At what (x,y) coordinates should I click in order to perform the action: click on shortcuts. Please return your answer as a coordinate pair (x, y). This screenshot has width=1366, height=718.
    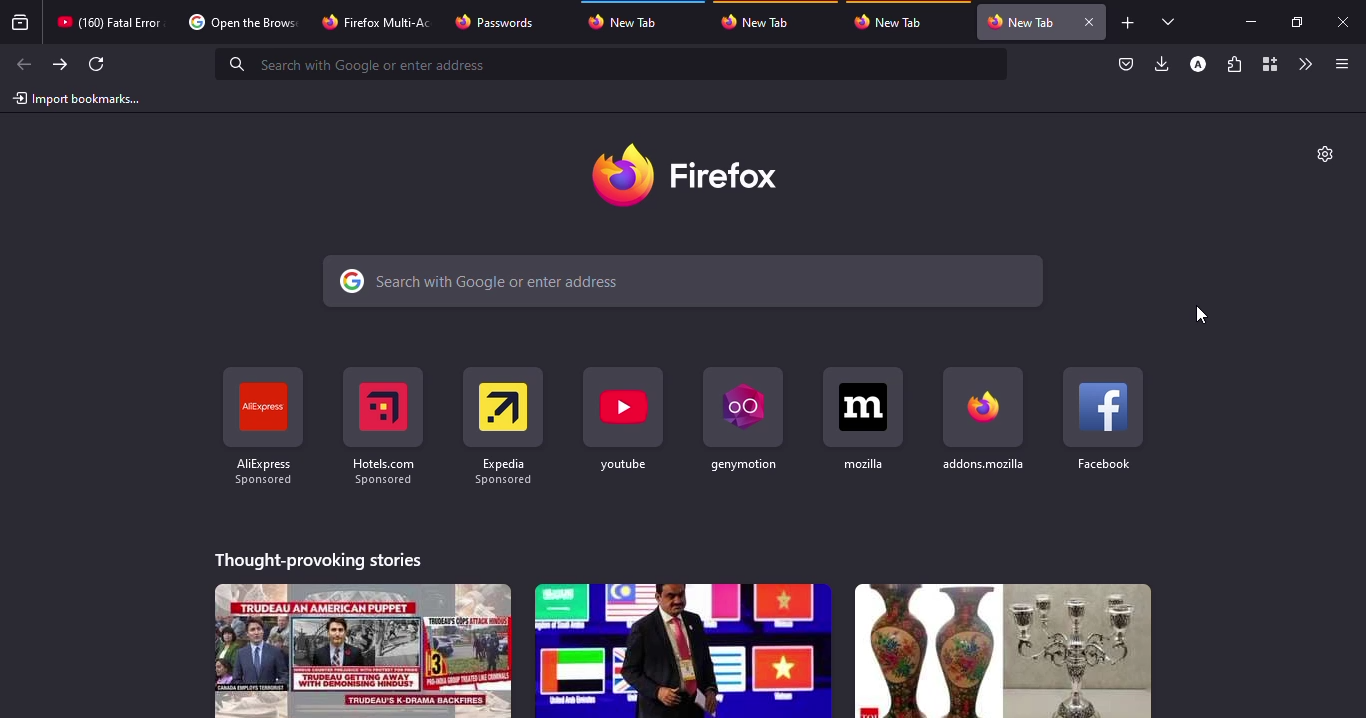
    Looking at the image, I should click on (257, 421).